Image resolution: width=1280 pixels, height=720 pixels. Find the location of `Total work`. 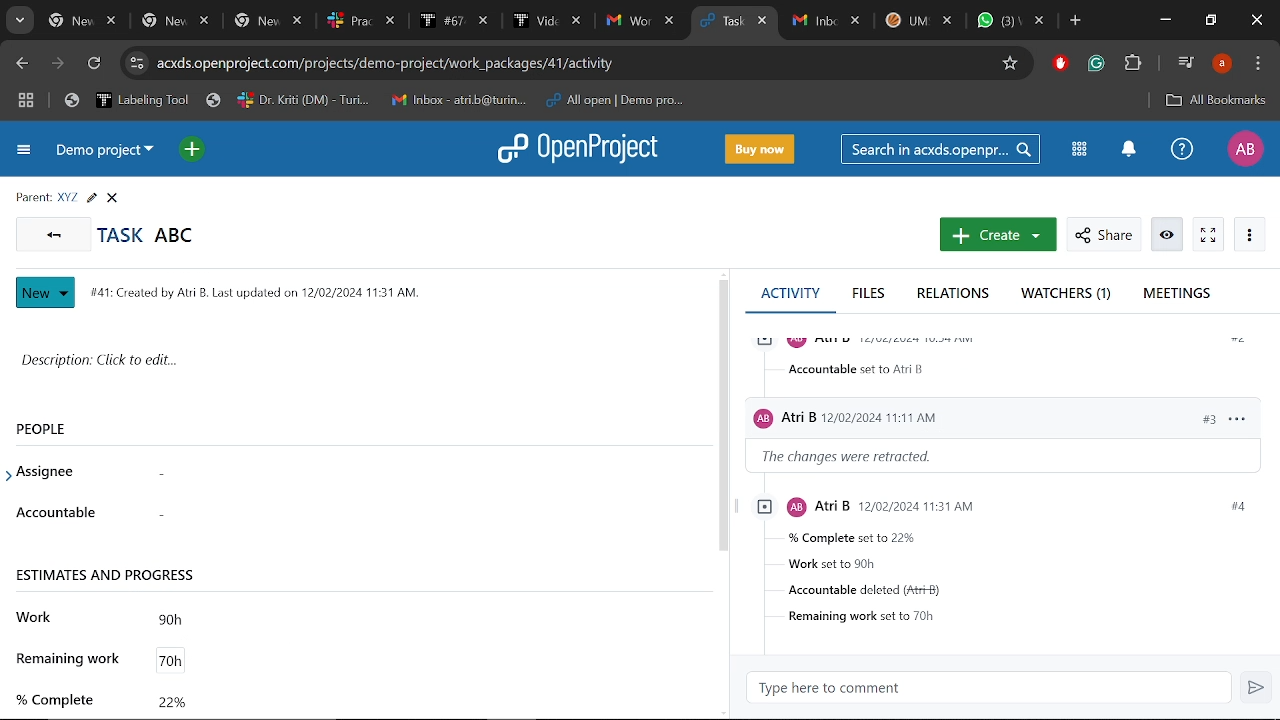

Total work is located at coordinates (171, 619).